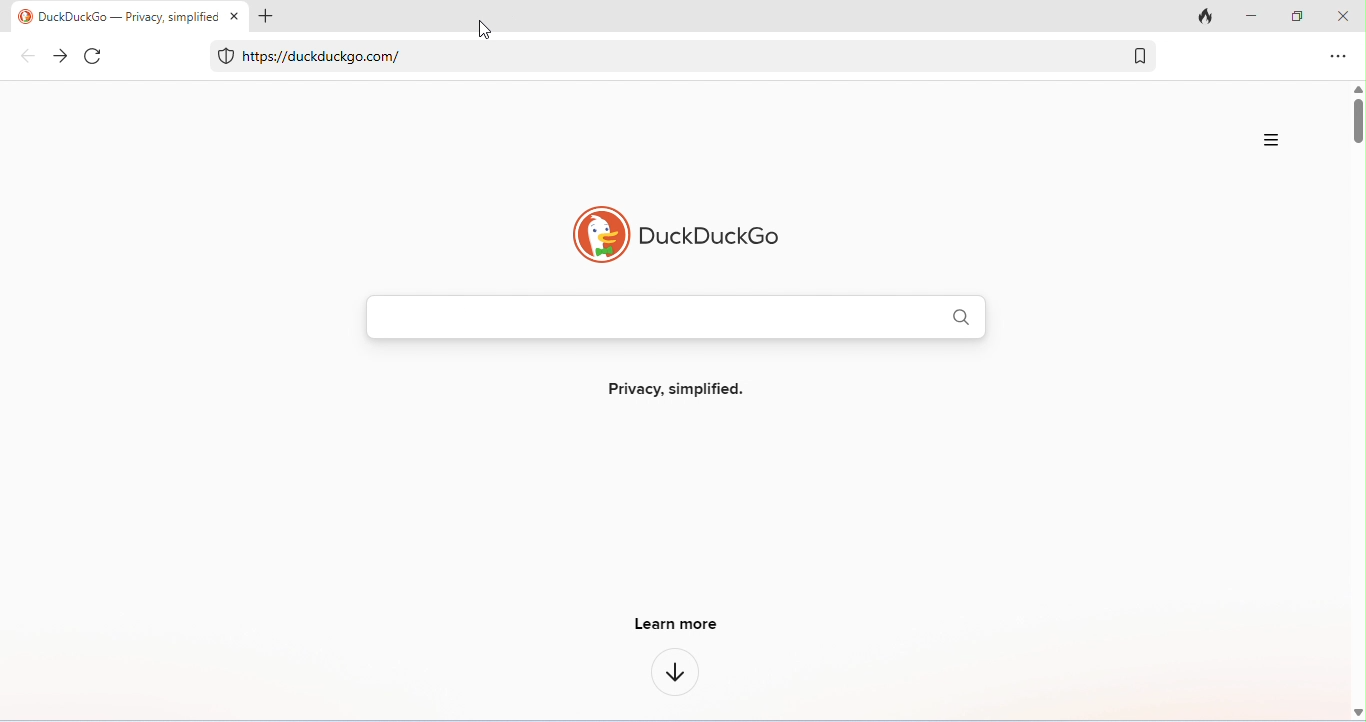 Image resolution: width=1366 pixels, height=722 pixels. What do you see at coordinates (115, 16) in the screenshot?
I see `duckdukgo privacy simplified` at bounding box center [115, 16].